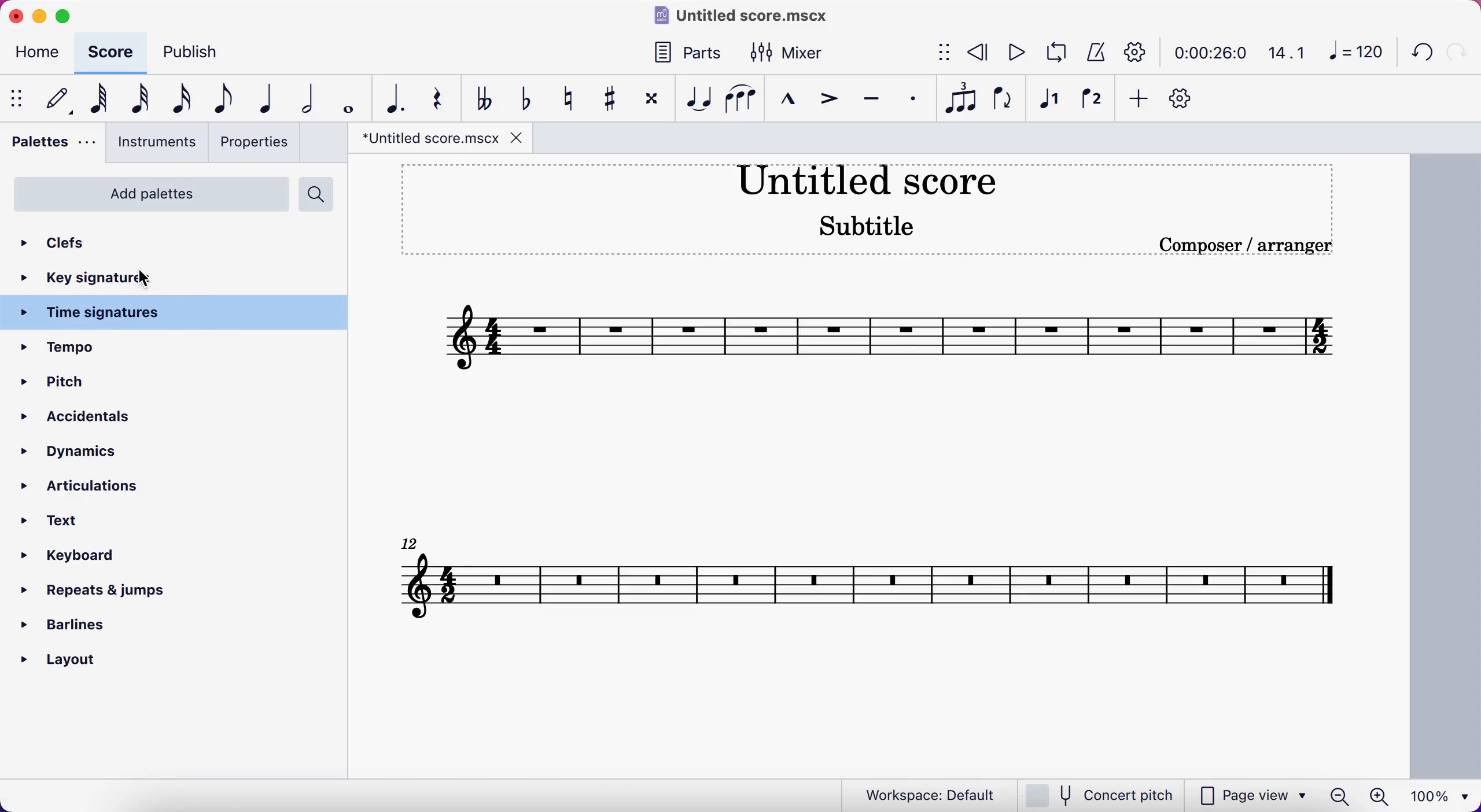 The image size is (1481, 812). Describe the element at coordinates (1001, 102) in the screenshot. I see `flip direction` at that location.